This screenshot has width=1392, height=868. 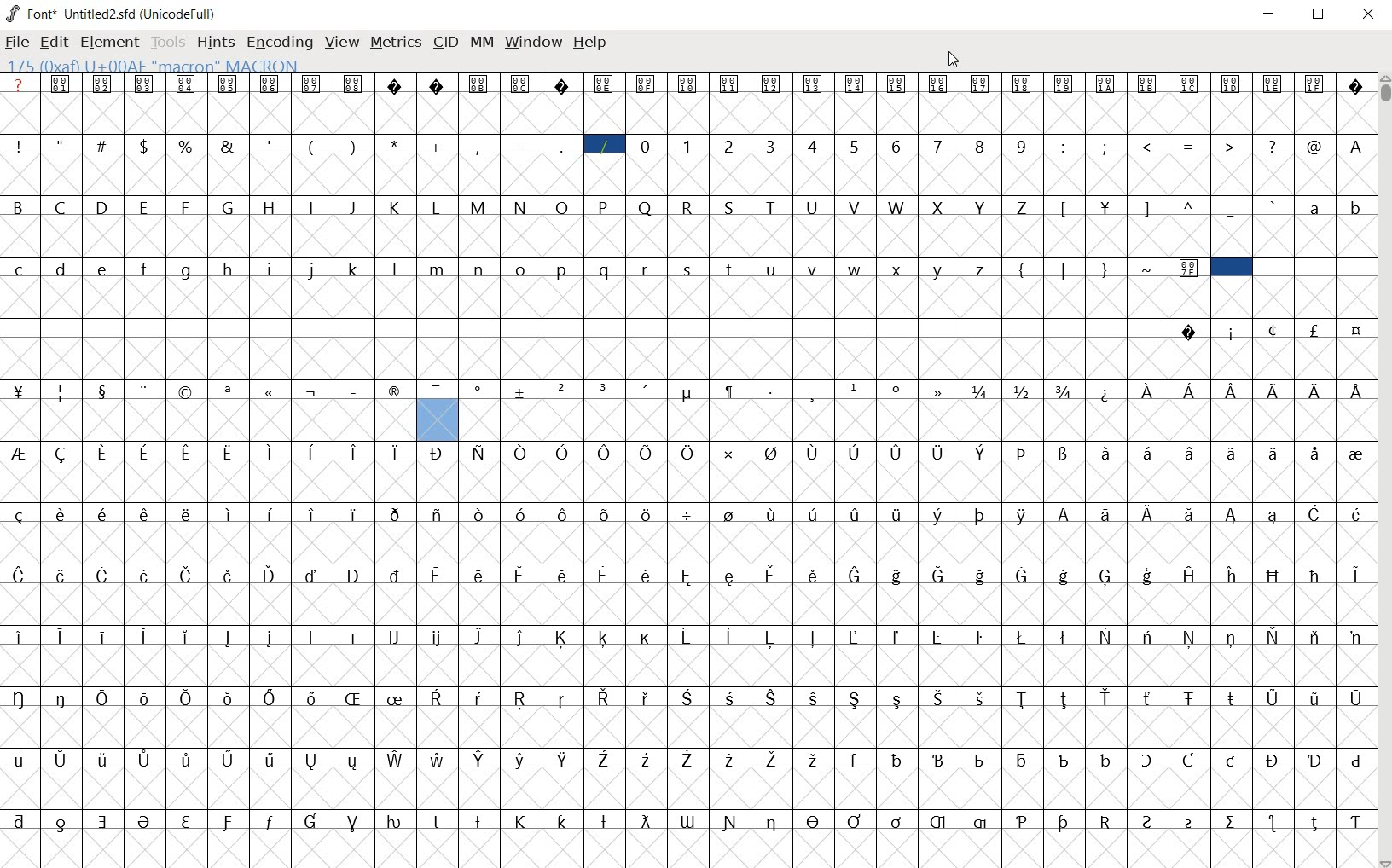 What do you see at coordinates (312, 145) in the screenshot?
I see `(` at bounding box center [312, 145].